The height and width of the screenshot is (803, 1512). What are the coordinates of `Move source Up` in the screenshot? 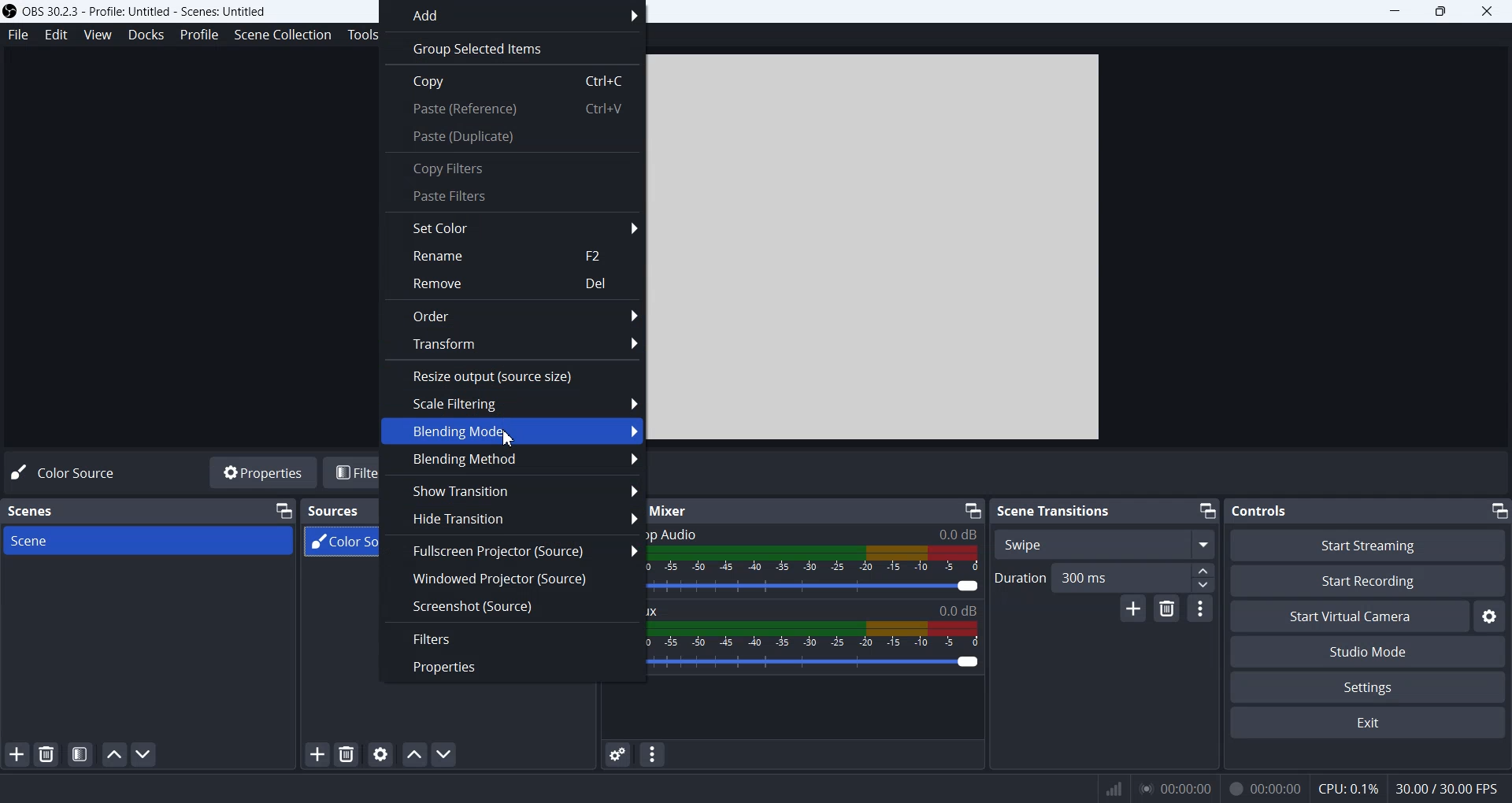 It's located at (413, 754).